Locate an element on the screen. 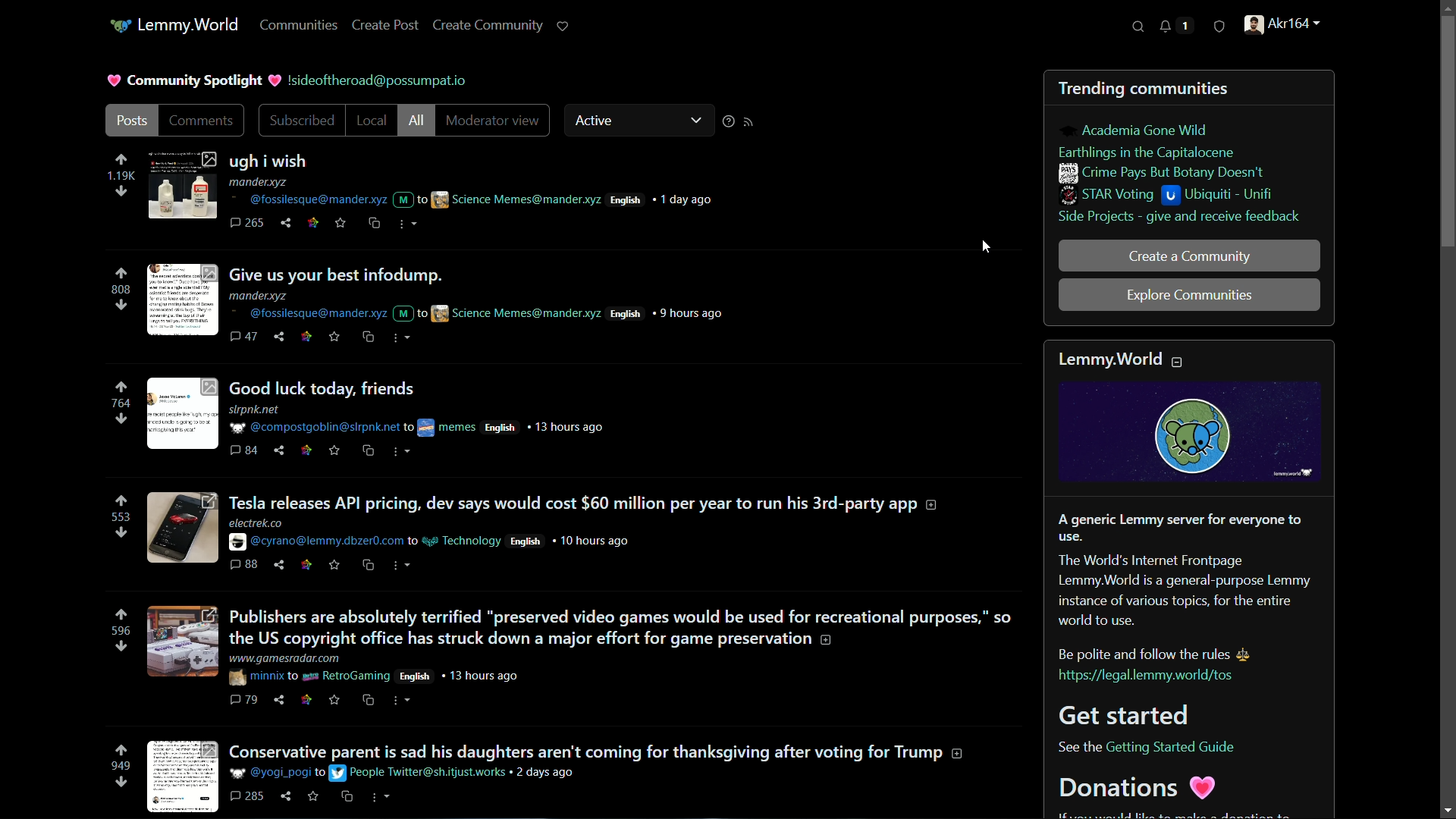 The height and width of the screenshot is (819, 1456). minnix is located at coordinates (256, 677).